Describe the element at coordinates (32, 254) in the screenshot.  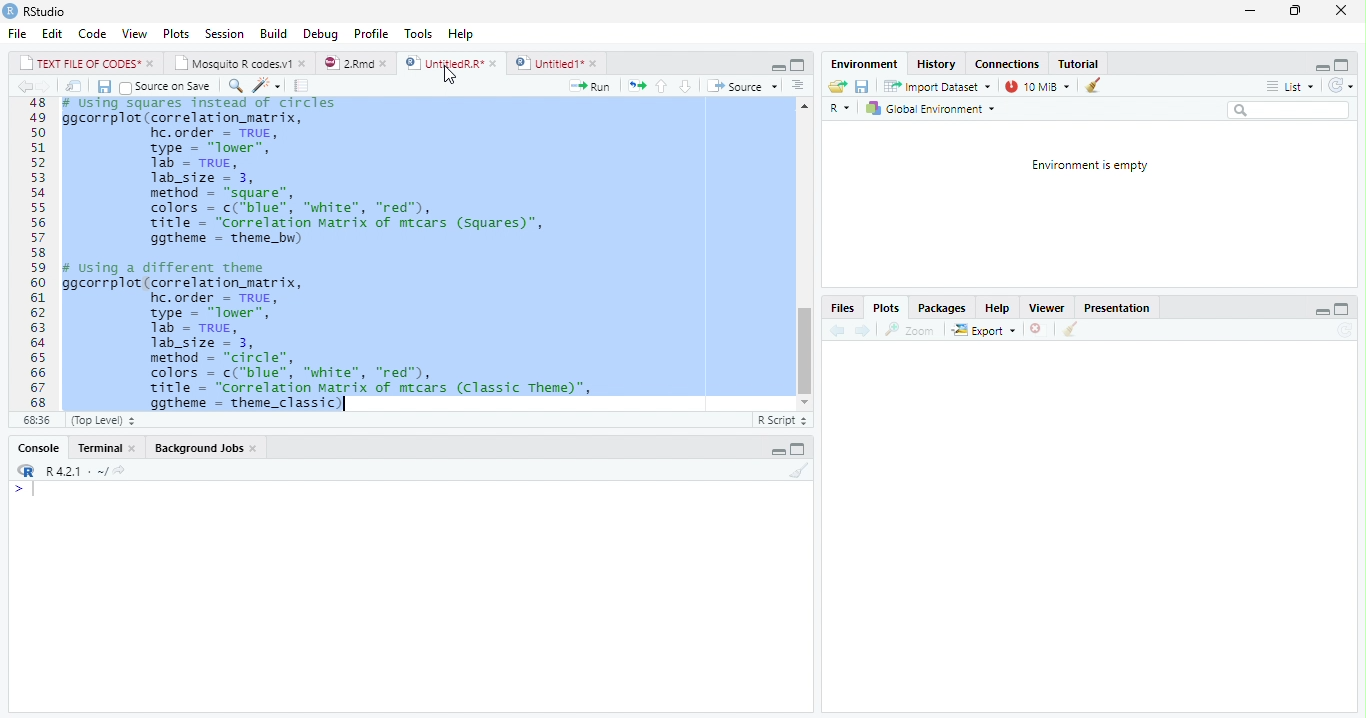
I see `Err
49
50
51
52
53
54
55
56
57
58
59
60
61
62
63
64
65
66
67
68` at that location.